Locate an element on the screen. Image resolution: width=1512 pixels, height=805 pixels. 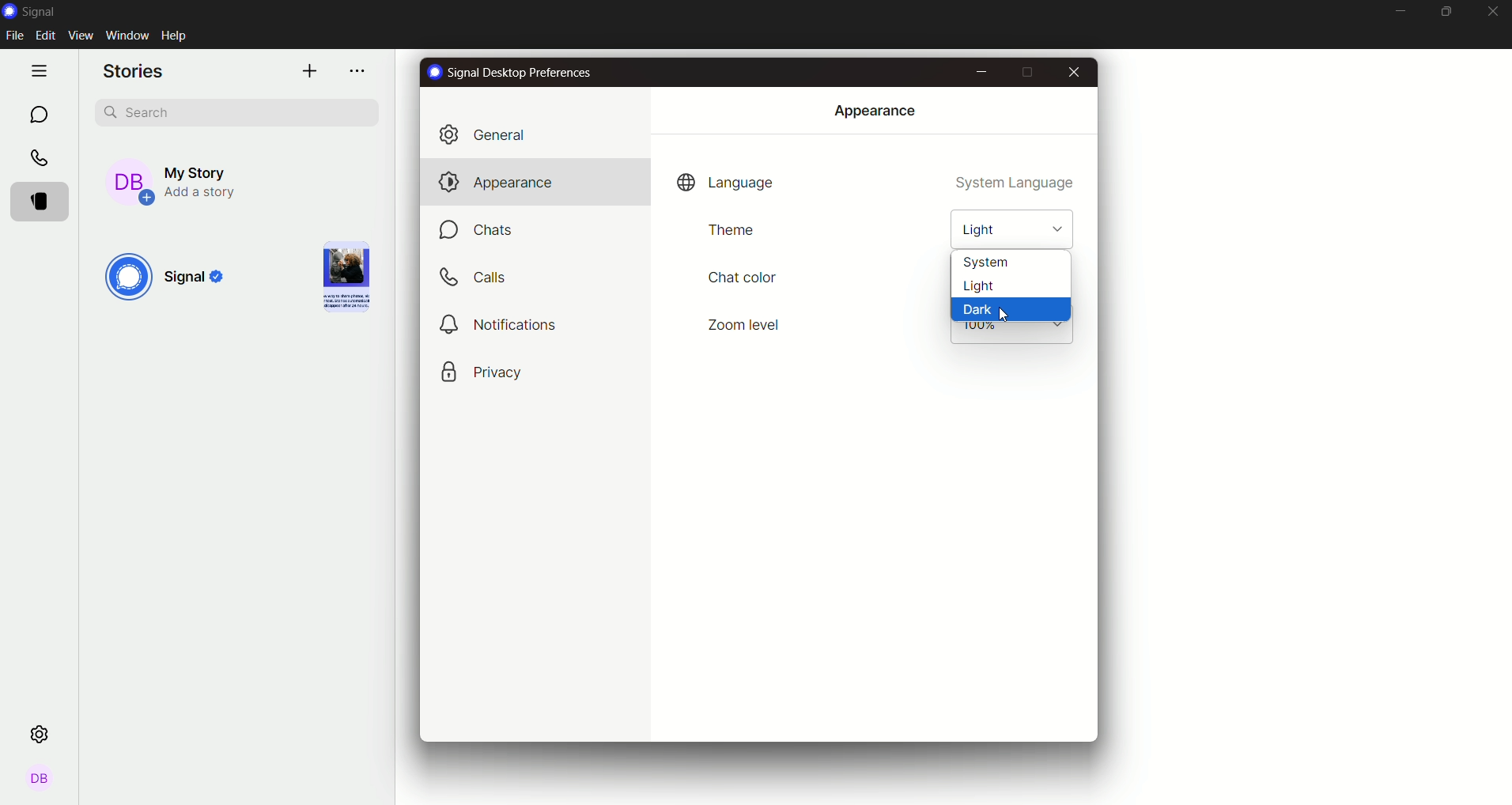
notifications is located at coordinates (501, 324).